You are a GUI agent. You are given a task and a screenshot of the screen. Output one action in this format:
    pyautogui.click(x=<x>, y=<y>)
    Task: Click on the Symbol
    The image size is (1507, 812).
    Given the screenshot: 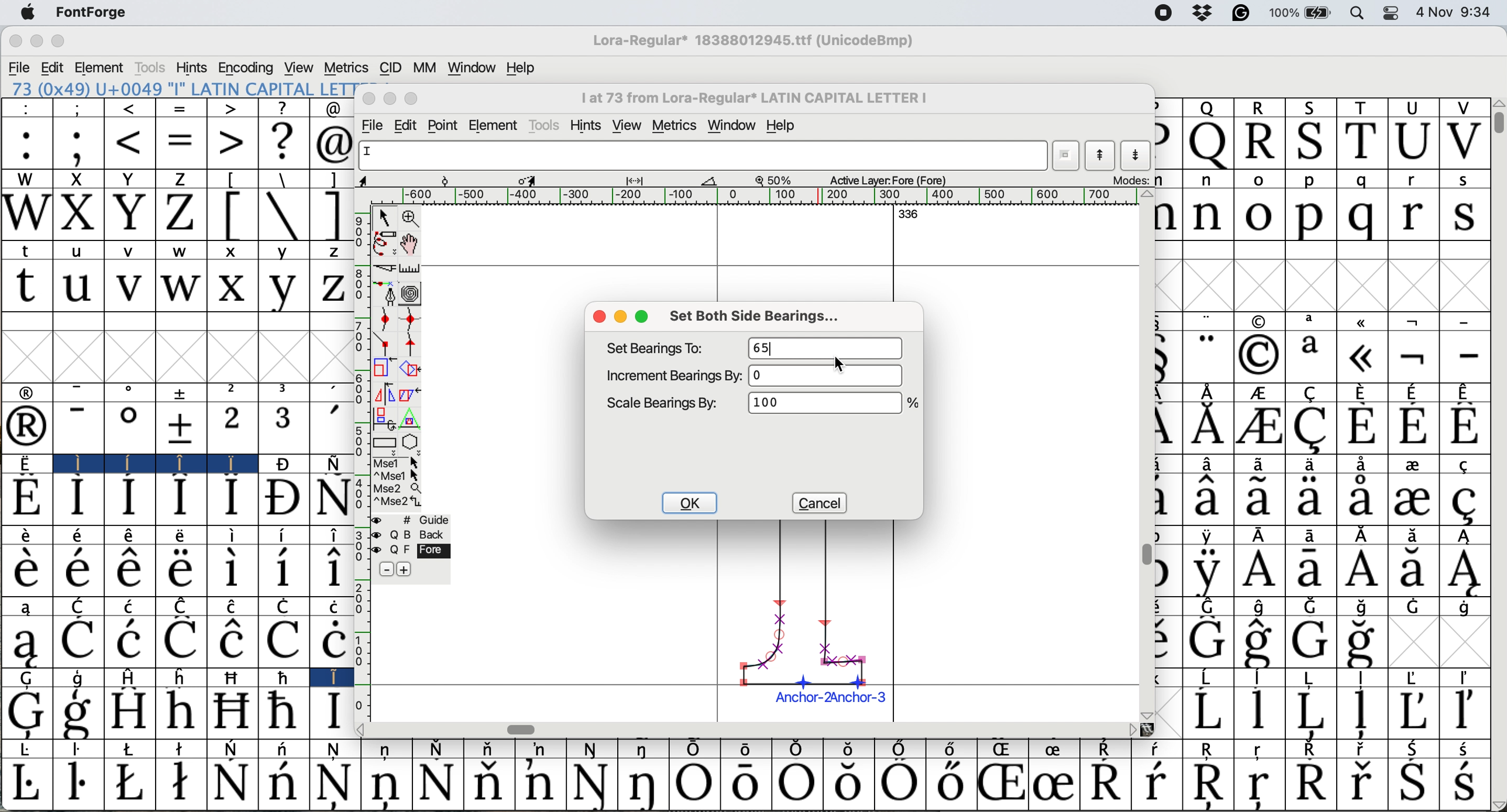 What is the action you would take?
    pyautogui.click(x=1210, y=605)
    